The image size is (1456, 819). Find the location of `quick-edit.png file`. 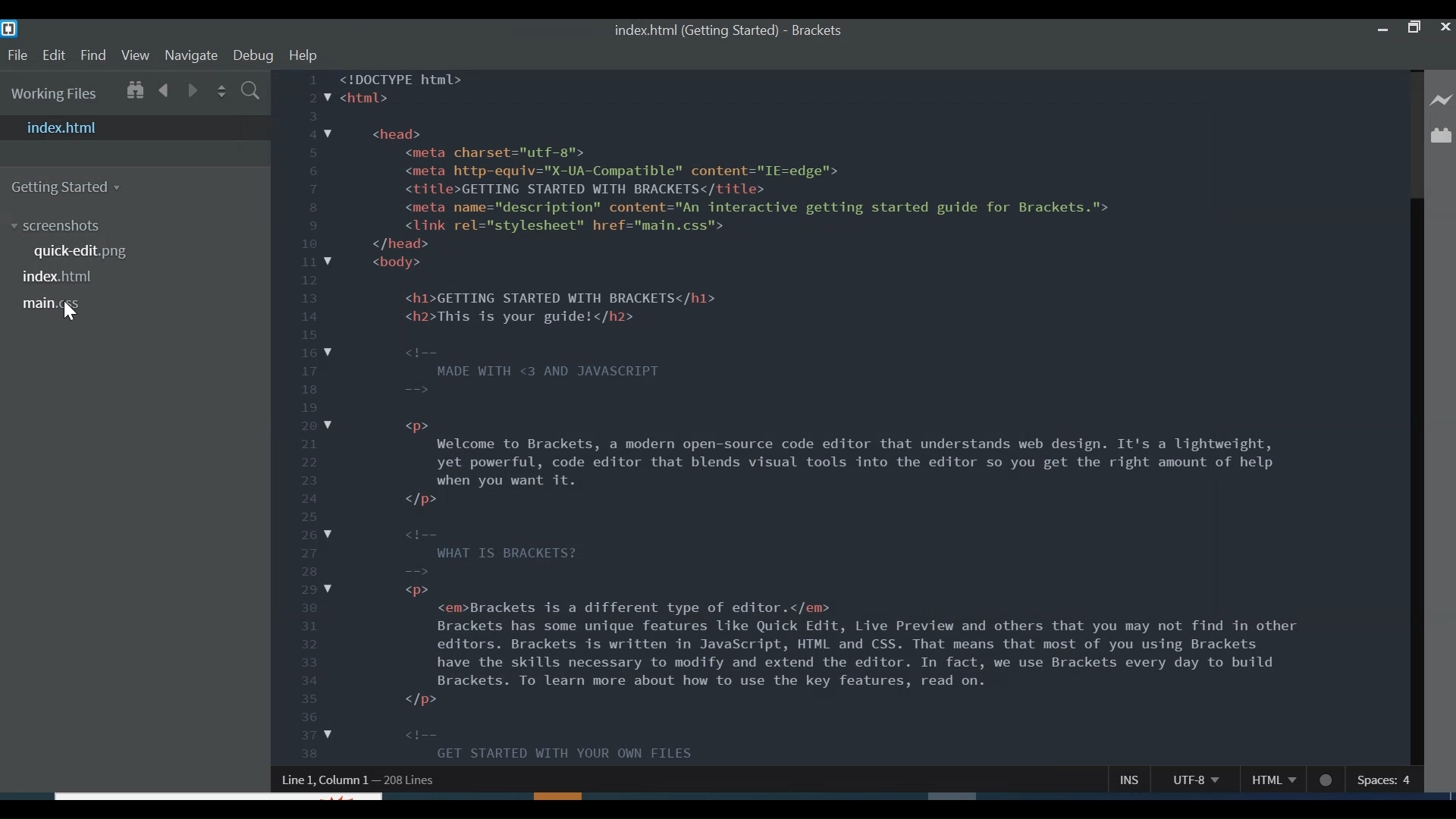

quick-edit.png file is located at coordinates (83, 252).